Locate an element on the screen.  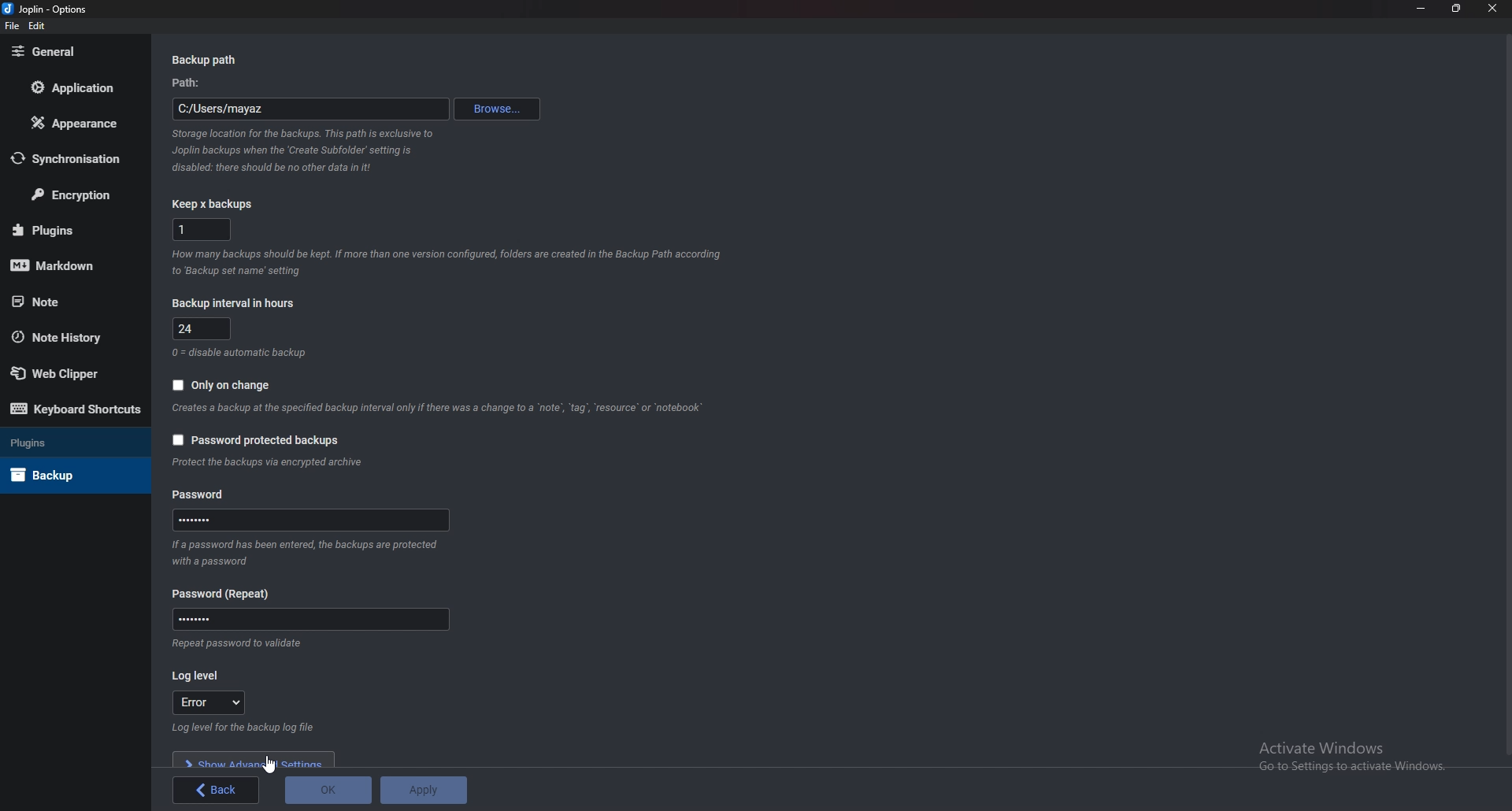
Back up is located at coordinates (69, 474).